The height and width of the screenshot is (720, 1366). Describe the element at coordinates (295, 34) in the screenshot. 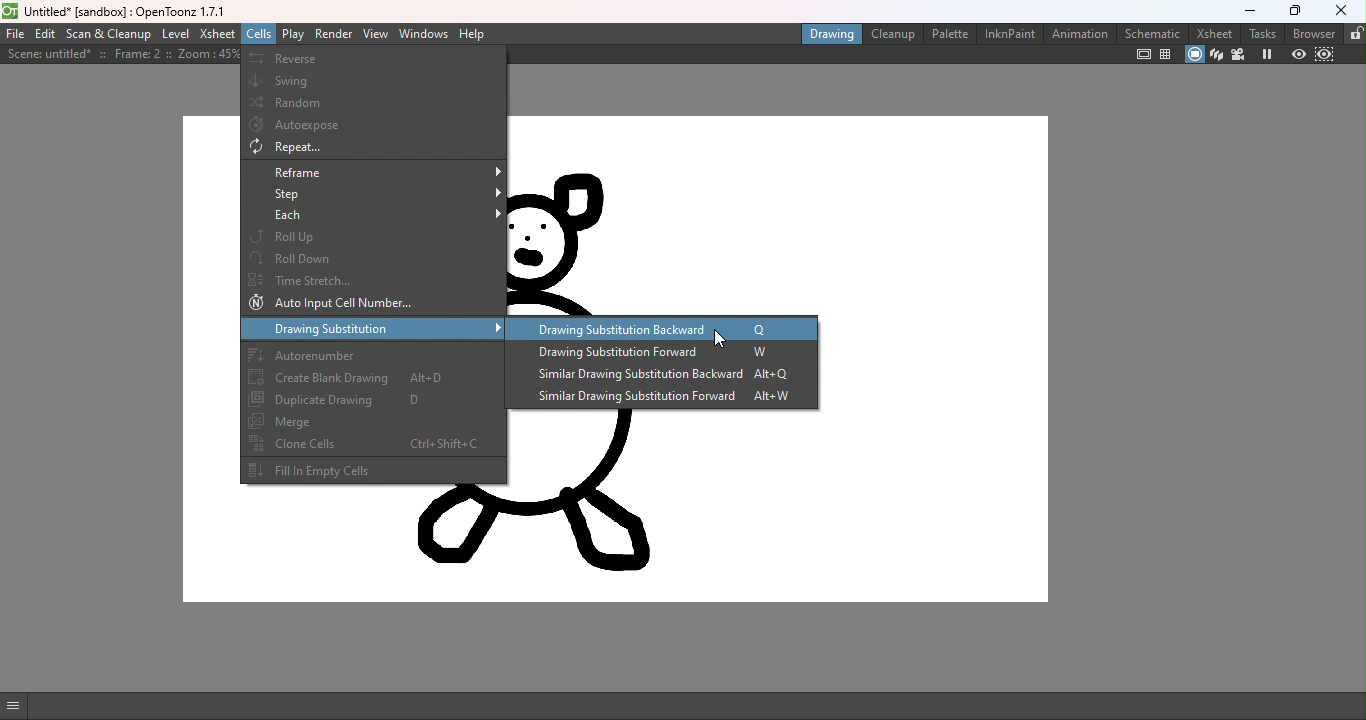

I see `Play` at that location.